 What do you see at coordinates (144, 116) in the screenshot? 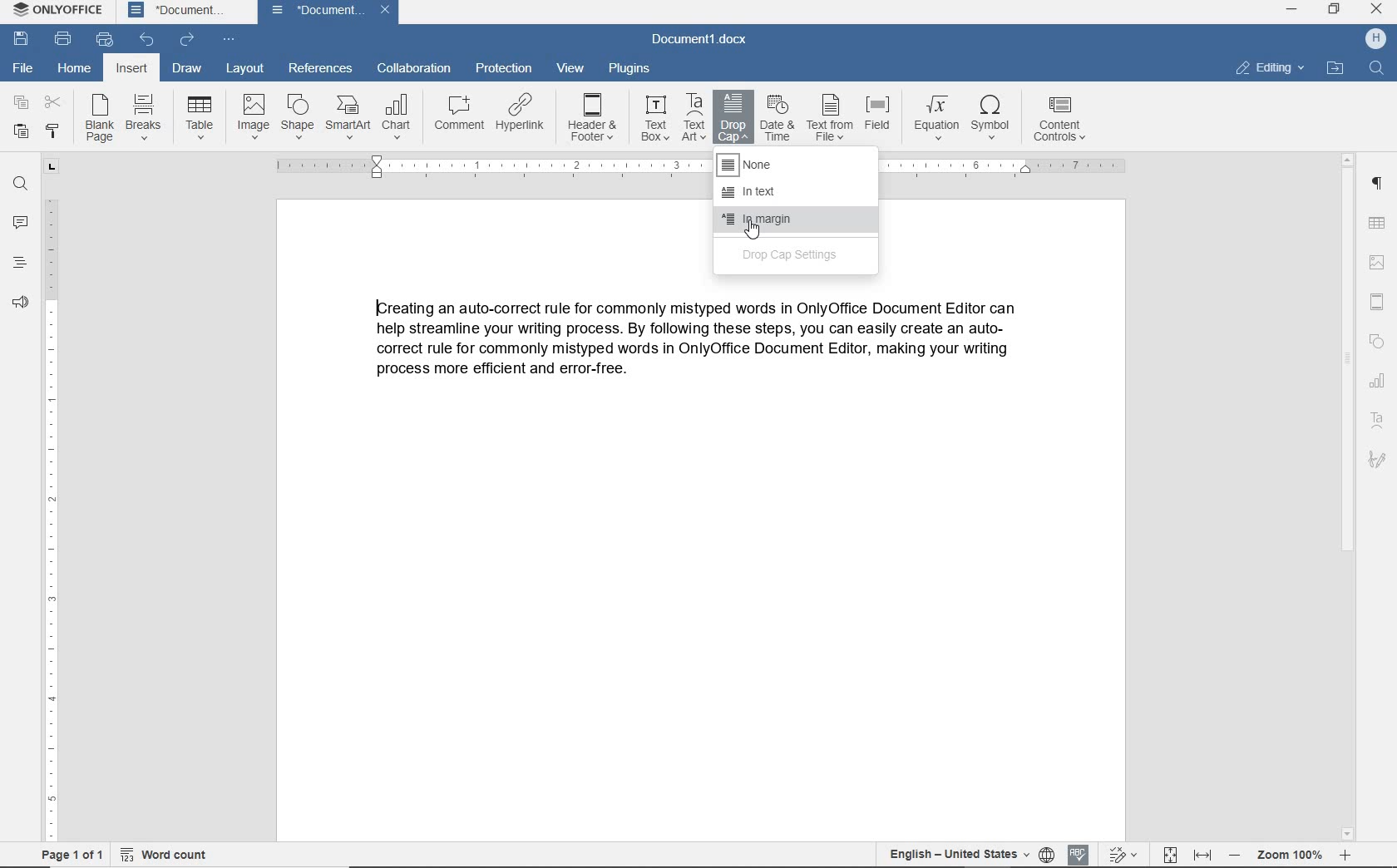
I see `breaks` at bounding box center [144, 116].